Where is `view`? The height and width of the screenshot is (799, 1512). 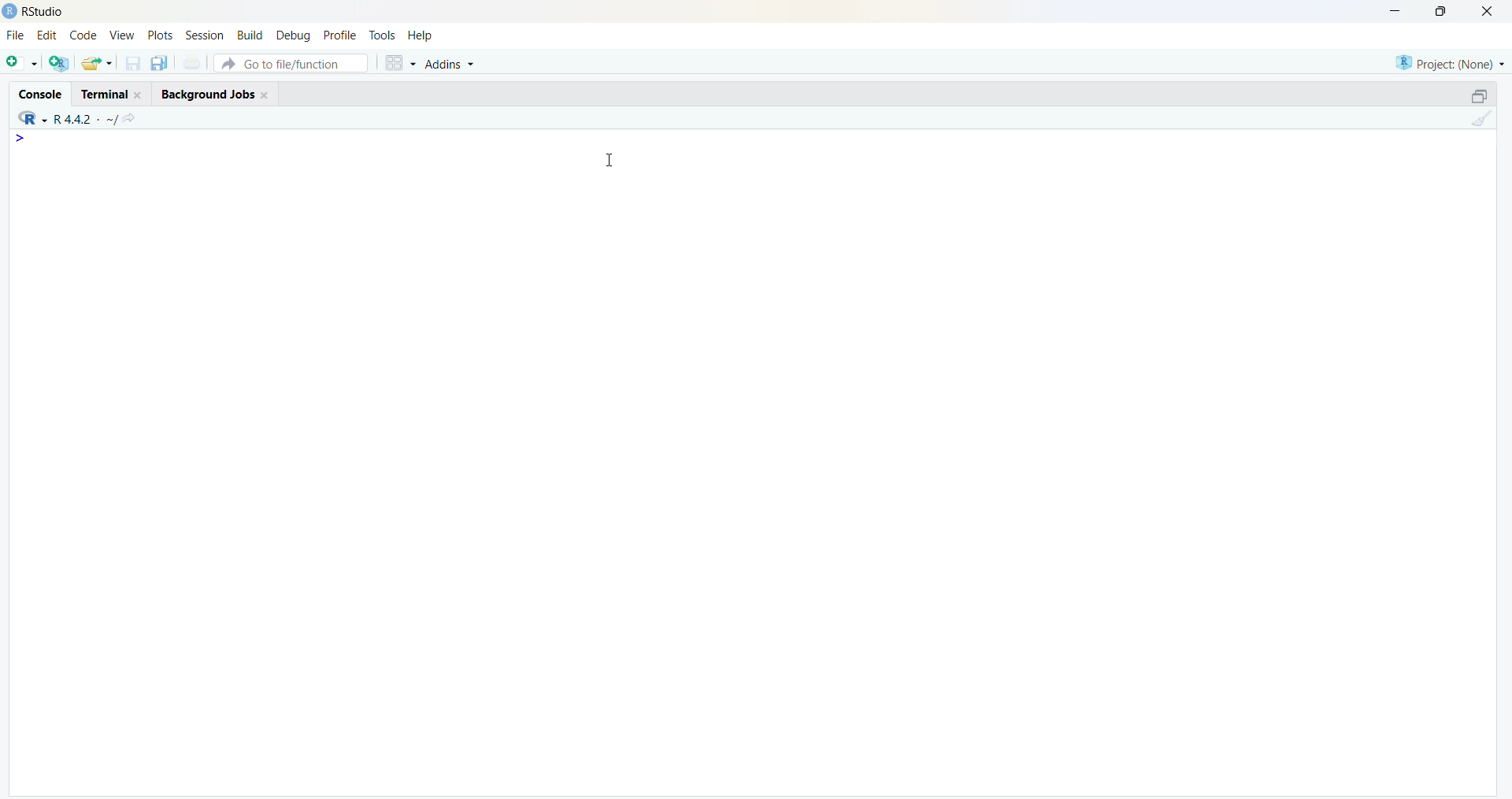 view is located at coordinates (123, 36).